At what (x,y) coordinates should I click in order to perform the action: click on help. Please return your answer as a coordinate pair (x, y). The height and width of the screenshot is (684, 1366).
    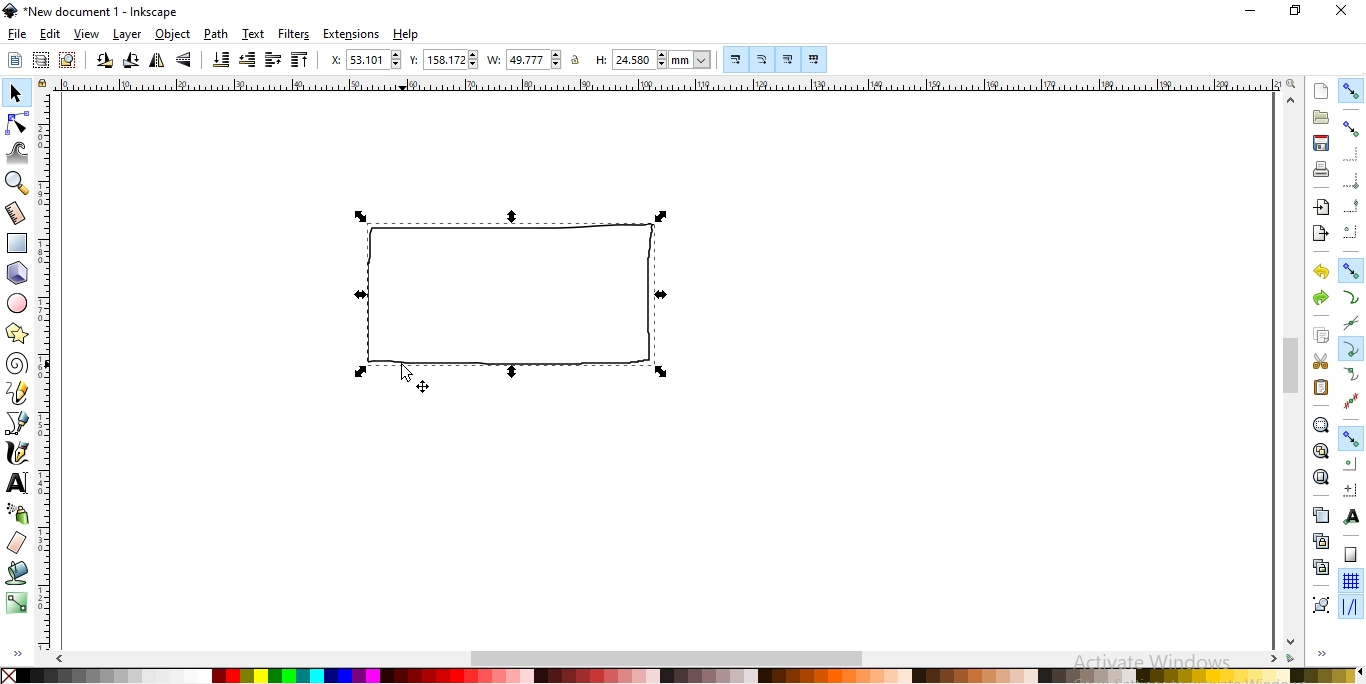
    Looking at the image, I should click on (406, 35).